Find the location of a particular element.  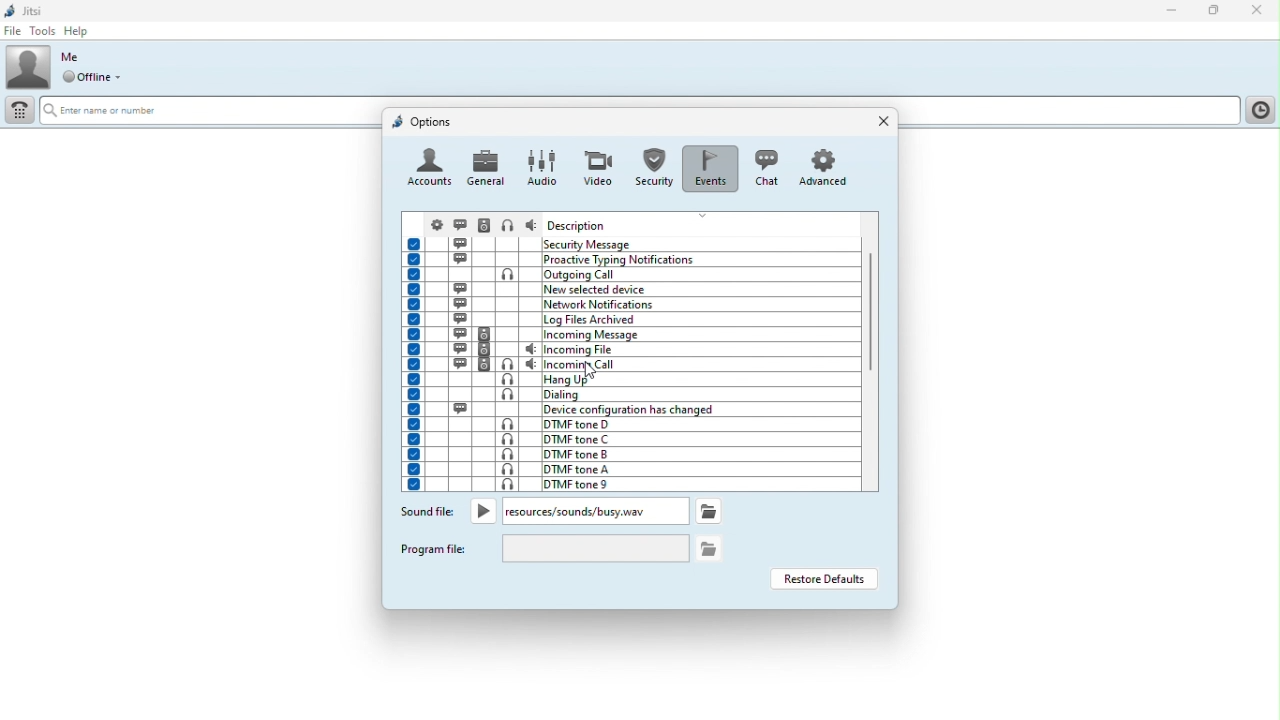

Audio is located at coordinates (540, 166).